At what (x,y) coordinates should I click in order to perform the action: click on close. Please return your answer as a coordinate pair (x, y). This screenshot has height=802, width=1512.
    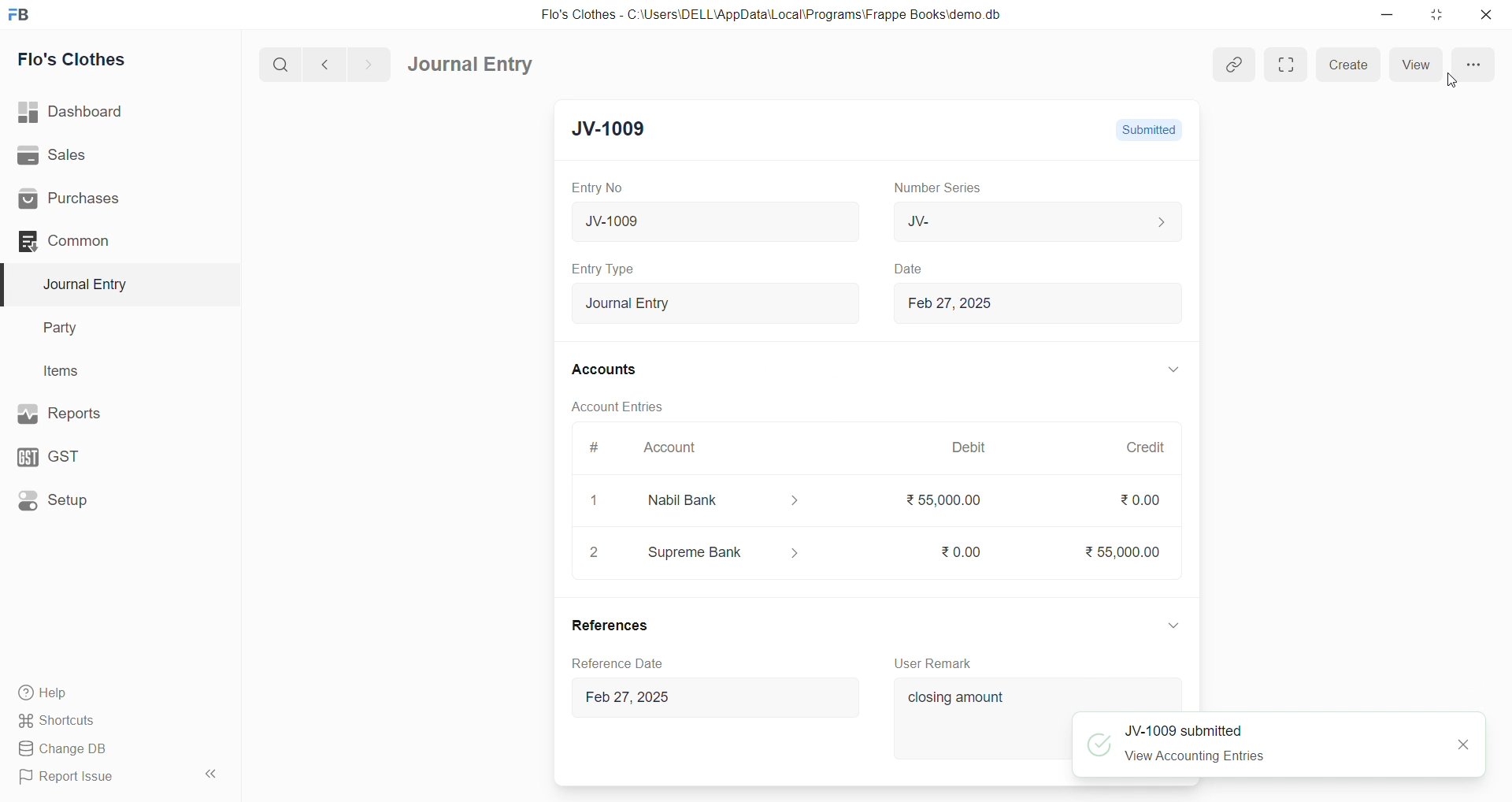
    Looking at the image, I should click on (1488, 14).